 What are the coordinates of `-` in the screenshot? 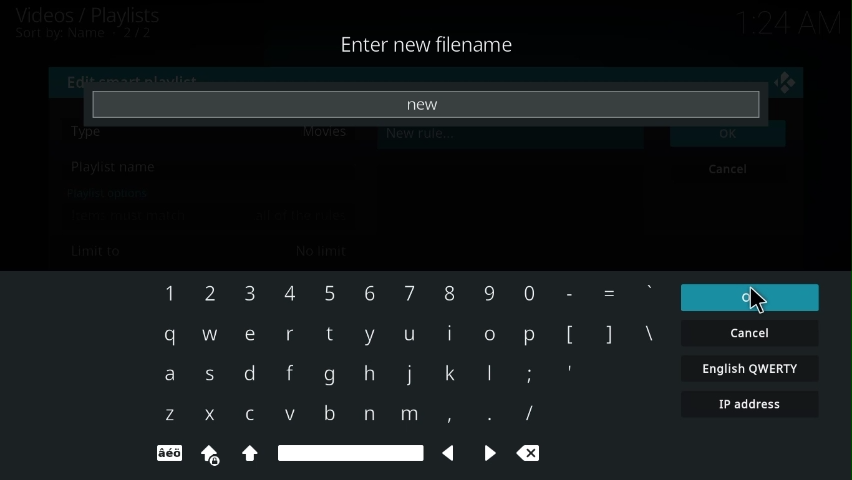 It's located at (569, 293).